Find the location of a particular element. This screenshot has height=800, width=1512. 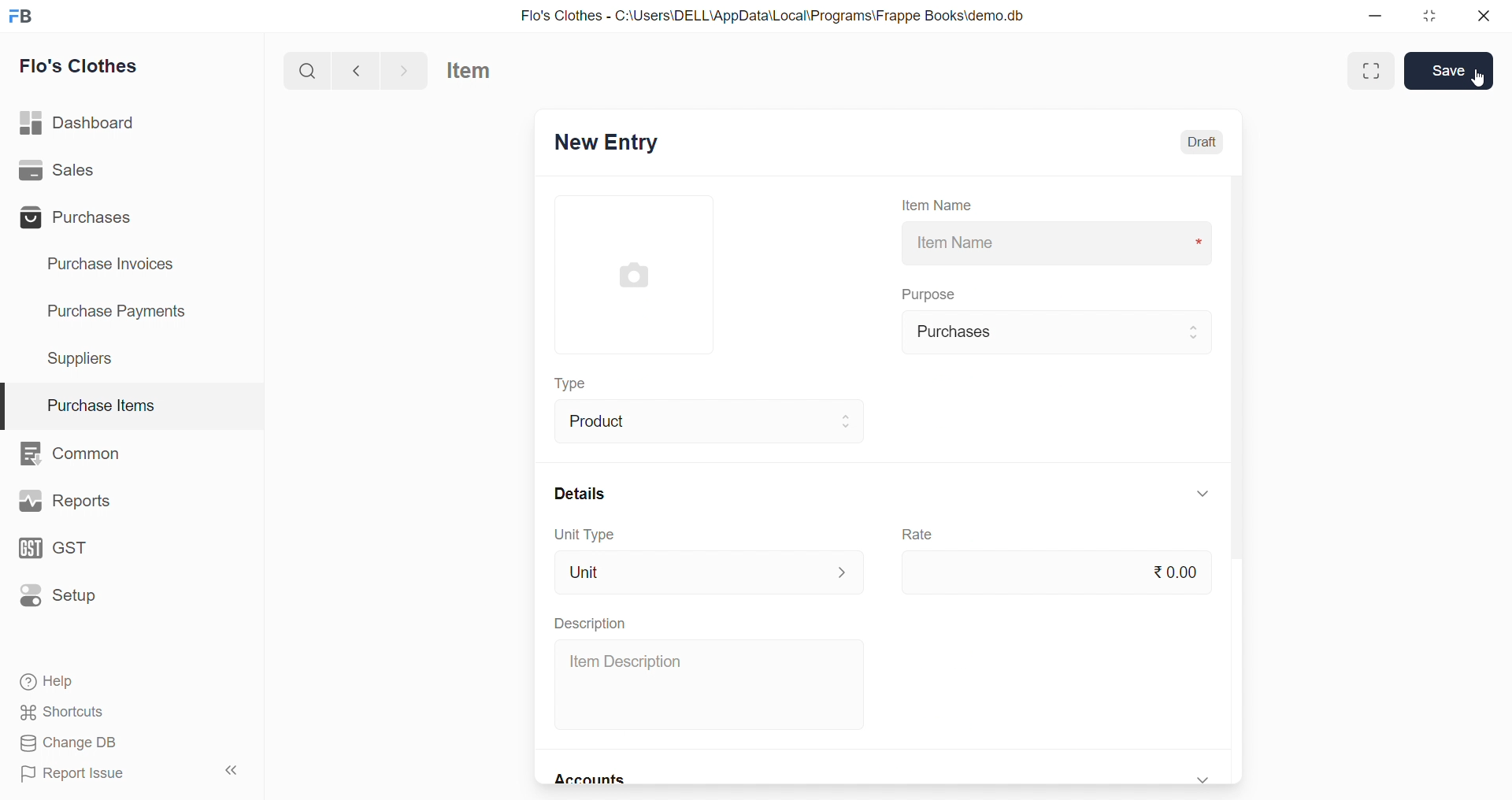

Shortcuts is located at coordinates (127, 711).